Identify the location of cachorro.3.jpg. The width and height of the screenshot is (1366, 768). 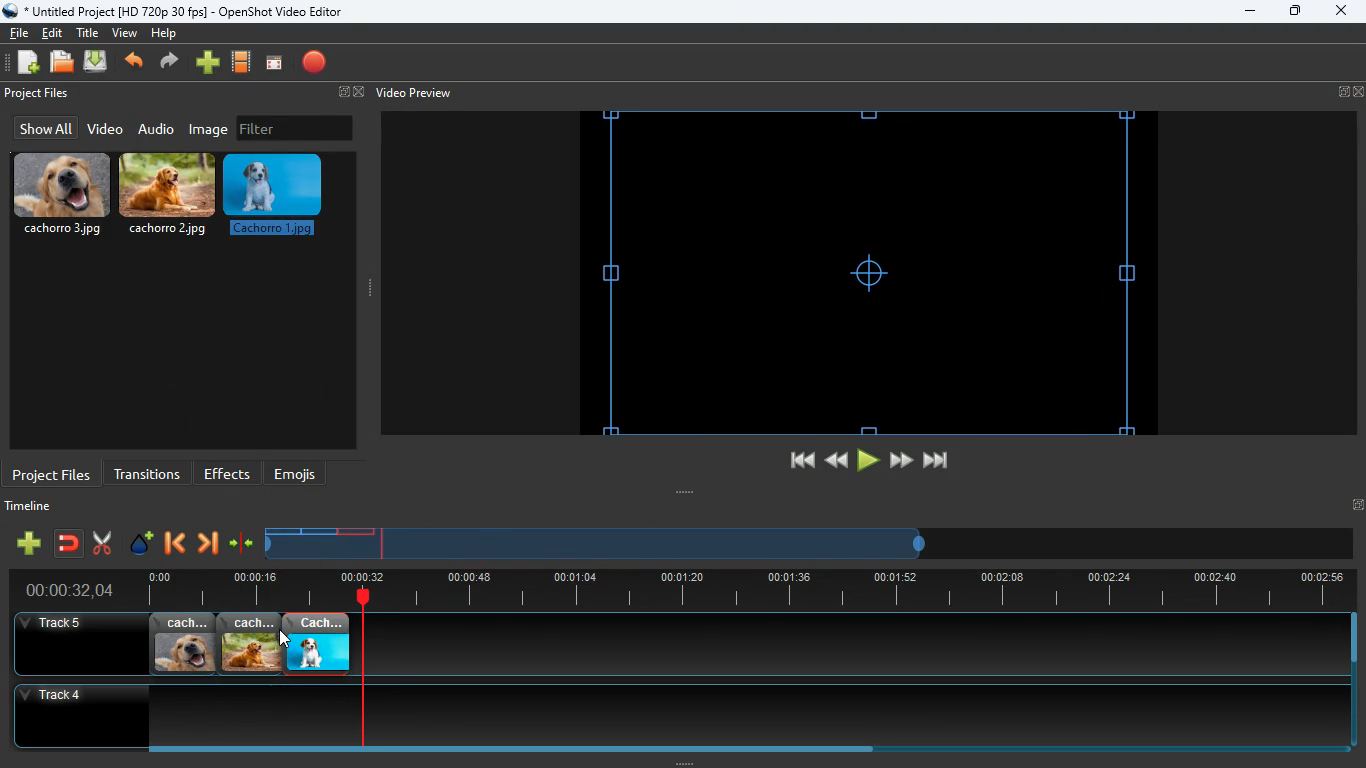
(62, 195).